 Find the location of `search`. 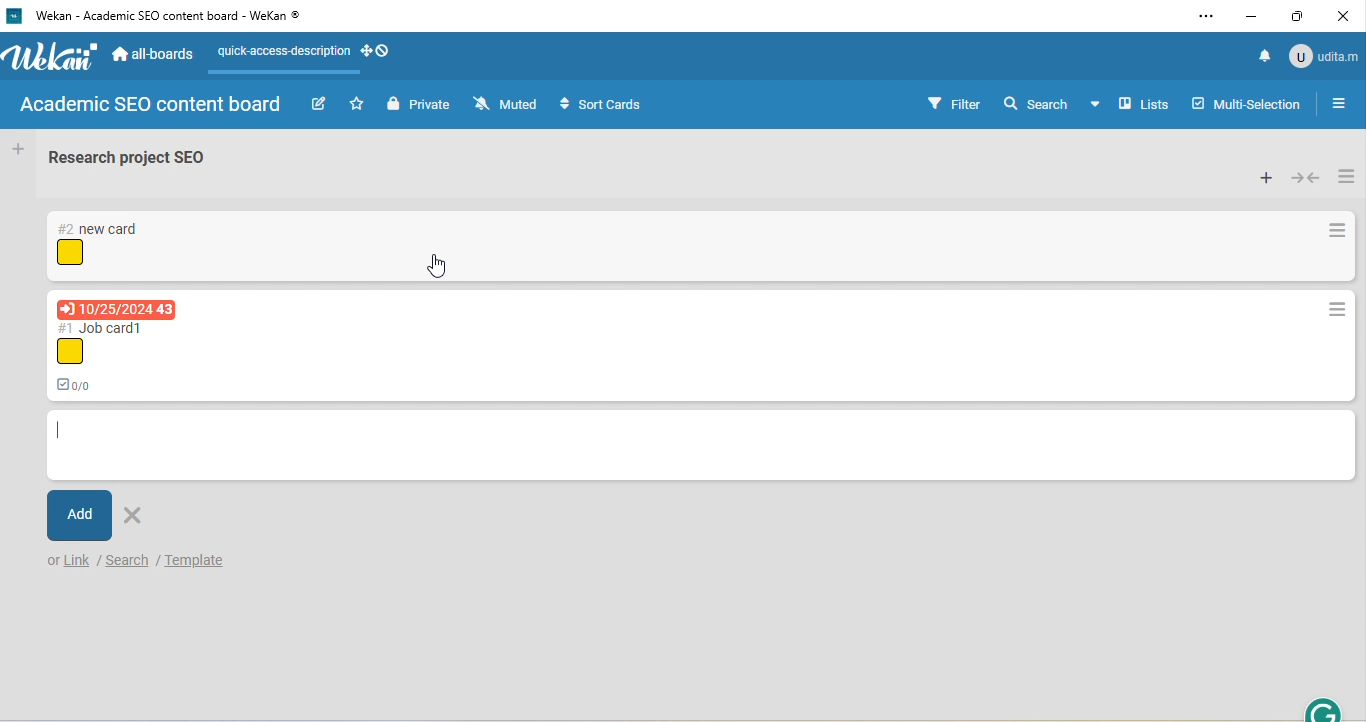

search is located at coordinates (1036, 102).